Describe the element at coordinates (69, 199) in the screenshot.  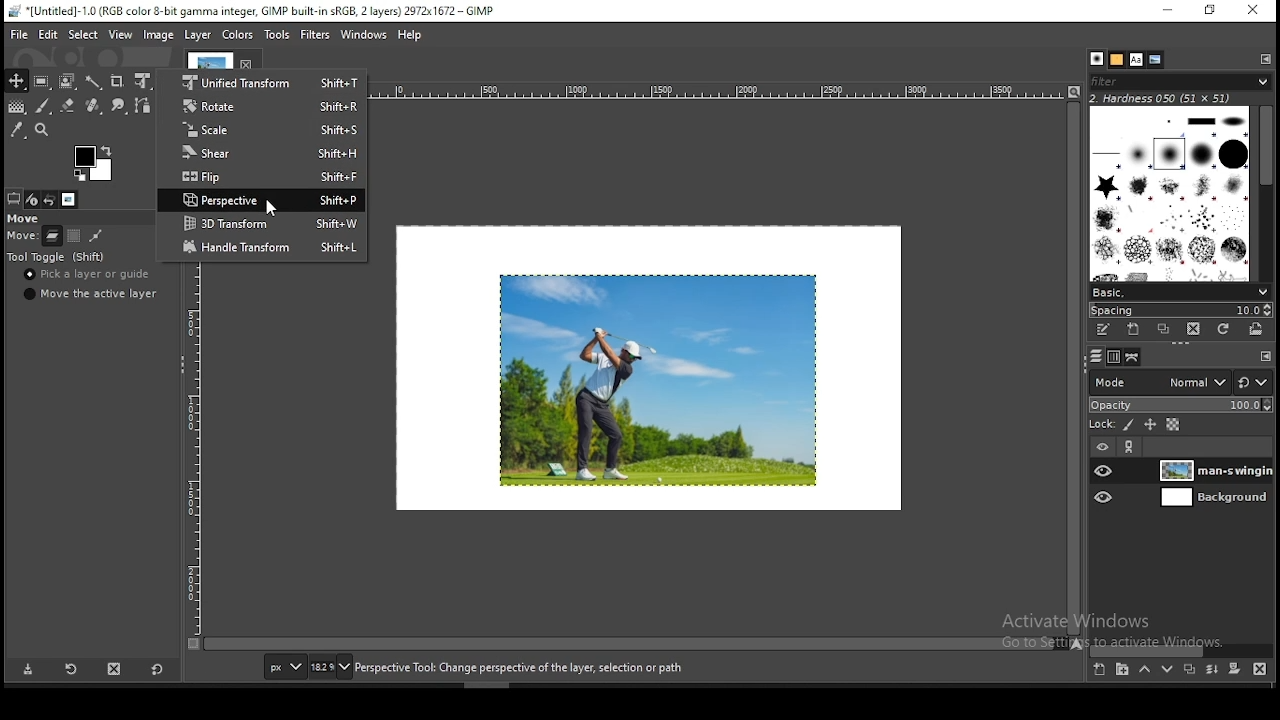
I see `images` at that location.